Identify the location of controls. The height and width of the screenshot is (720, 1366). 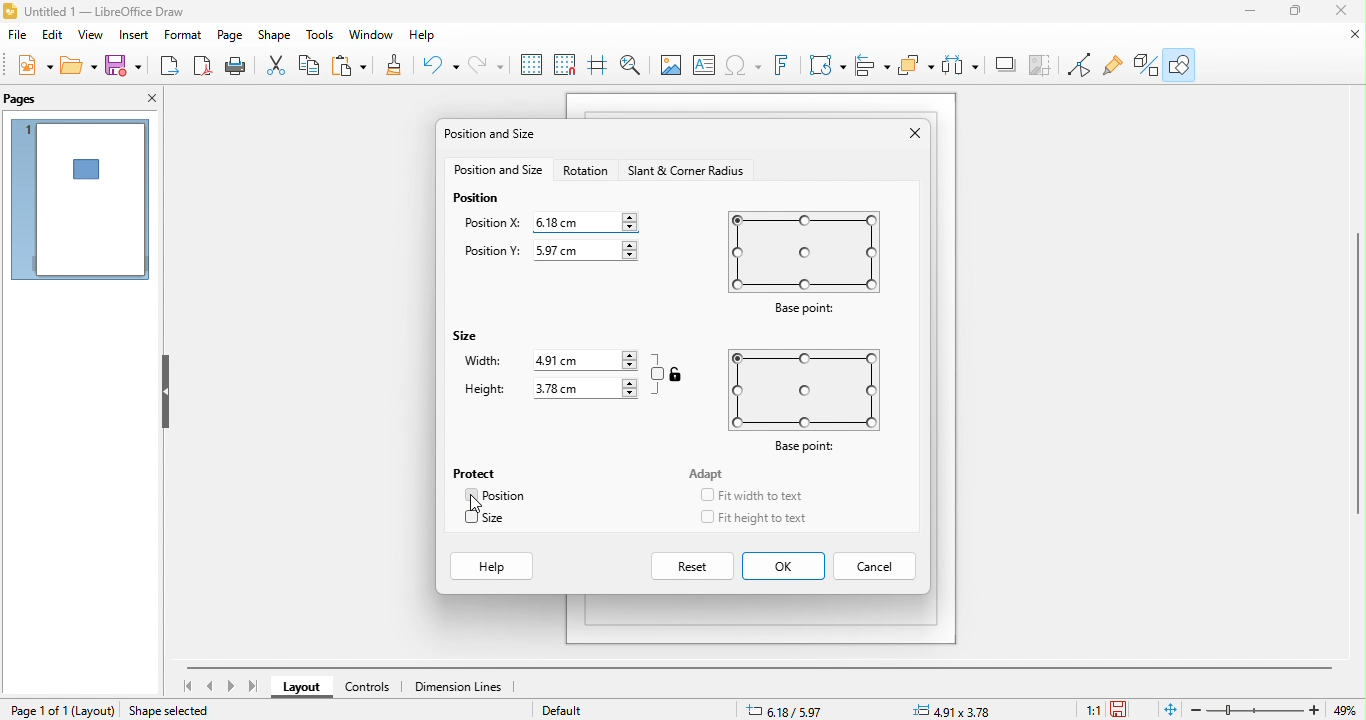
(374, 687).